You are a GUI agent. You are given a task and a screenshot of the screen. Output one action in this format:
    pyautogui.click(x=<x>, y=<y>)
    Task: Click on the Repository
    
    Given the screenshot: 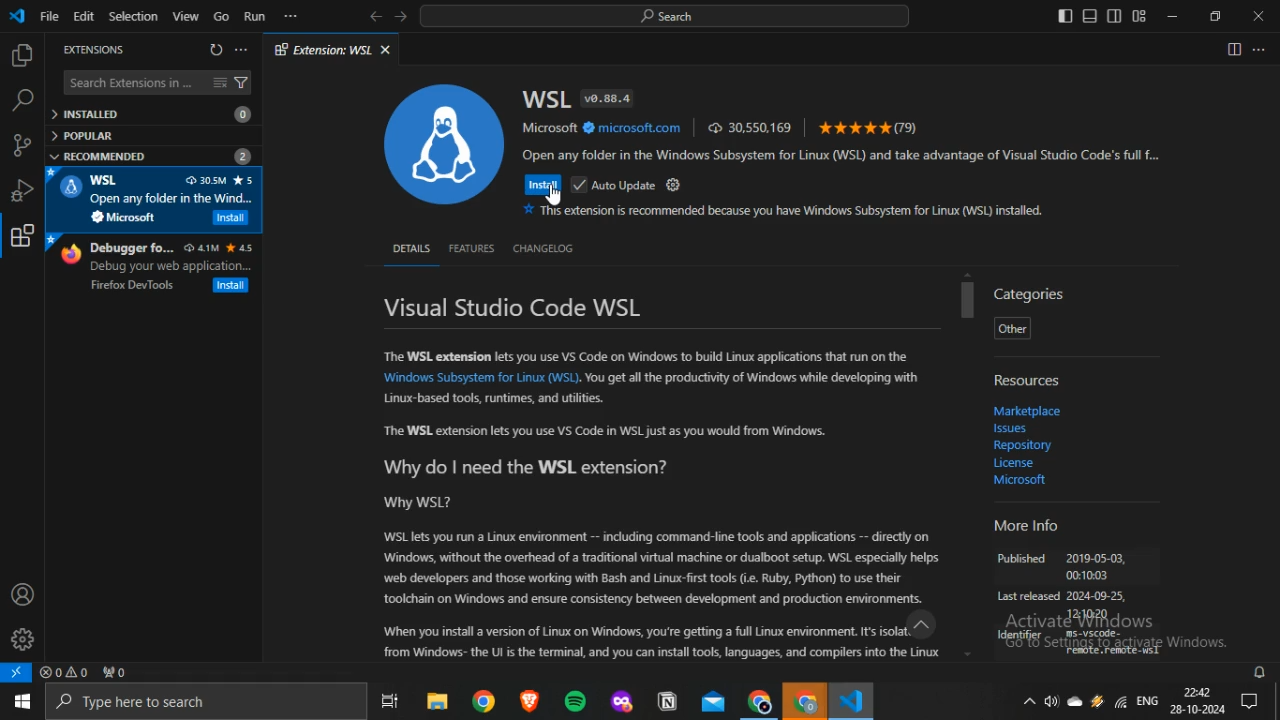 What is the action you would take?
    pyautogui.click(x=1023, y=446)
    